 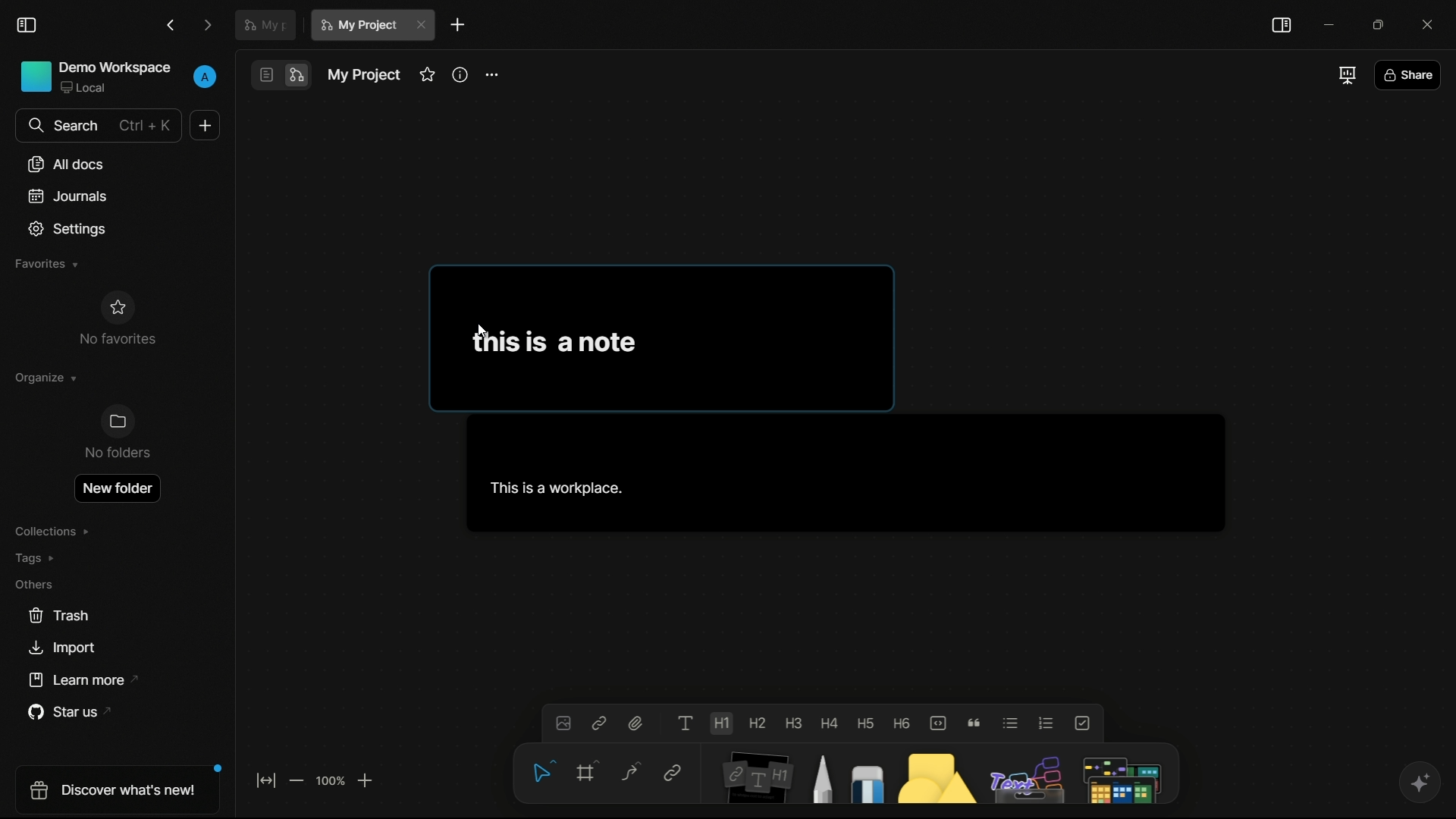 What do you see at coordinates (266, 74) in the screenshot?
I see `page mode` at bounding box center [266, 74].